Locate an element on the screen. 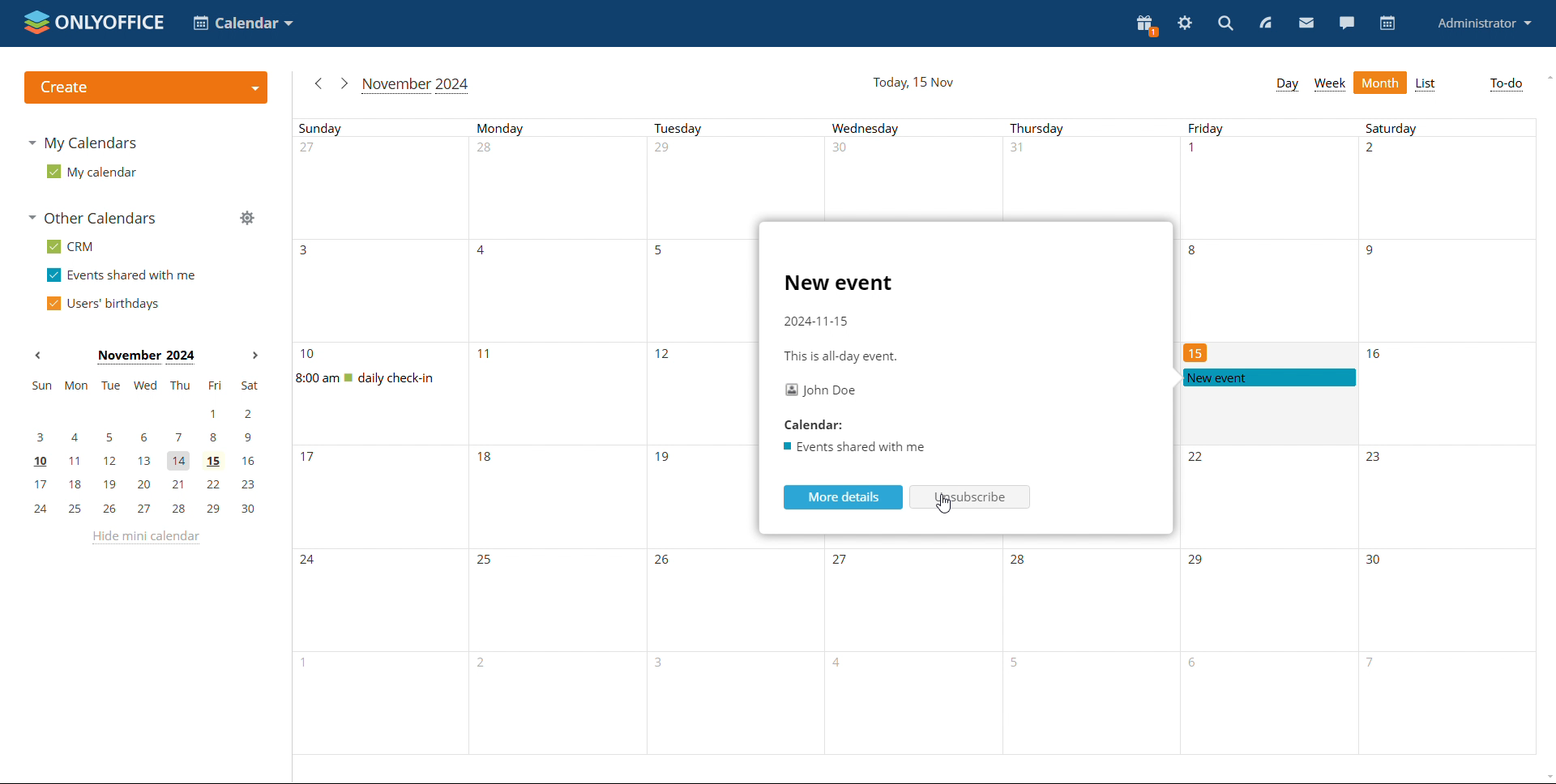 Image resolution: width=1556 pixels, height=784 pixels. users' birthdays is located at coordinates (101, 304).